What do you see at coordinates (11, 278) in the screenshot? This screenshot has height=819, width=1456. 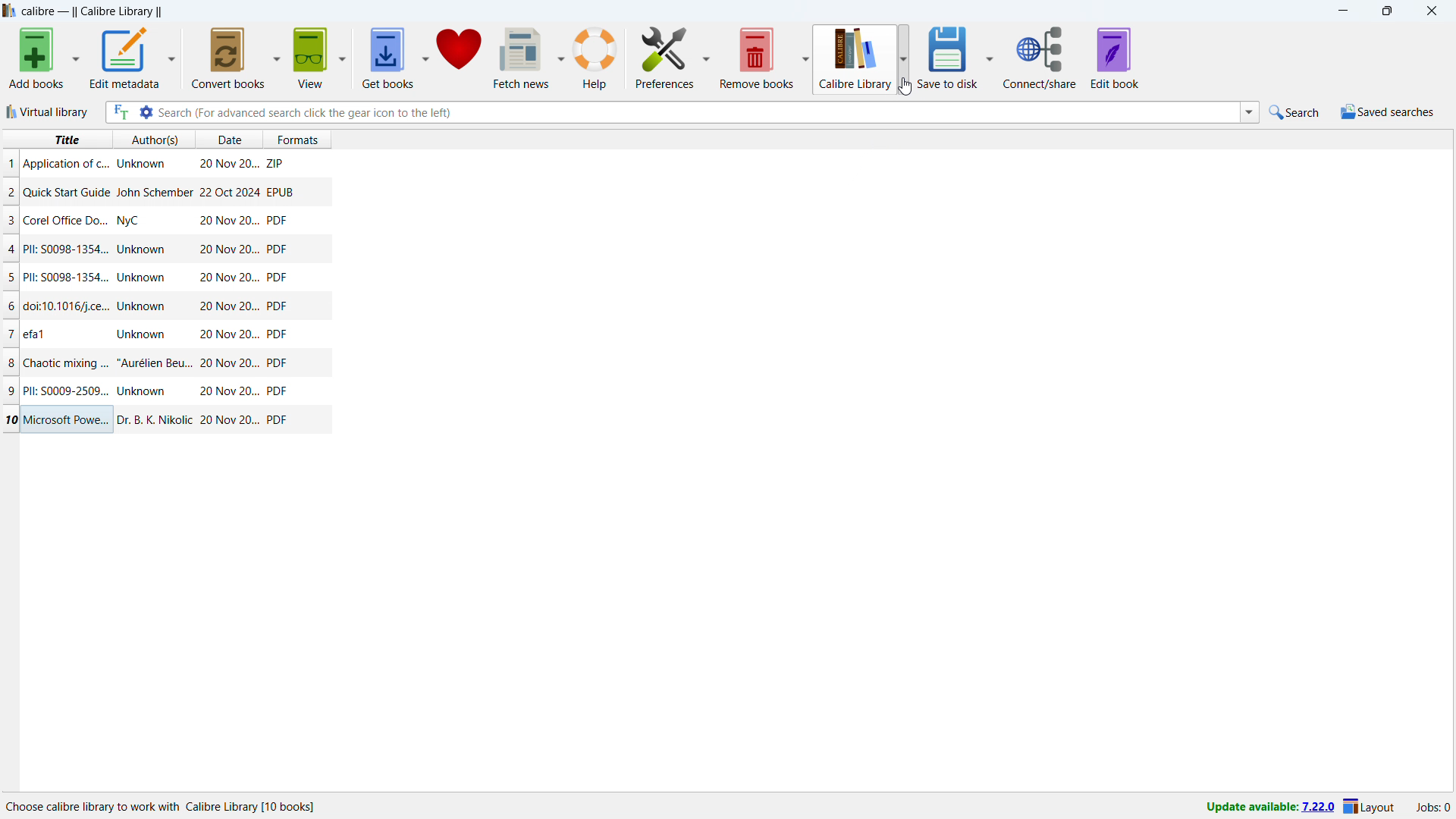 I see `5` at bounding box center [11, 278].